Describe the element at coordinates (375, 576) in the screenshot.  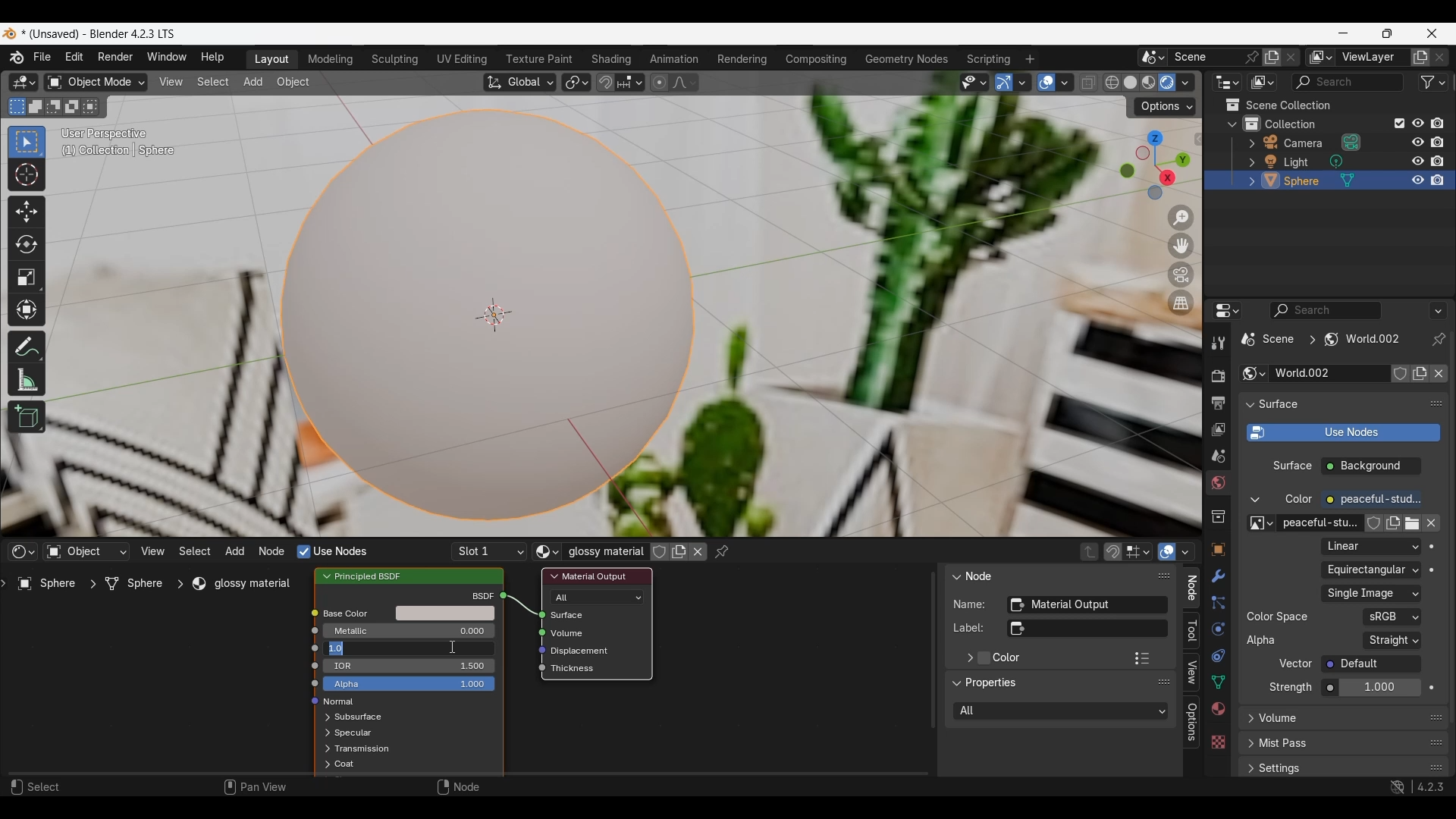
I see `Principled BSDF` at that location.